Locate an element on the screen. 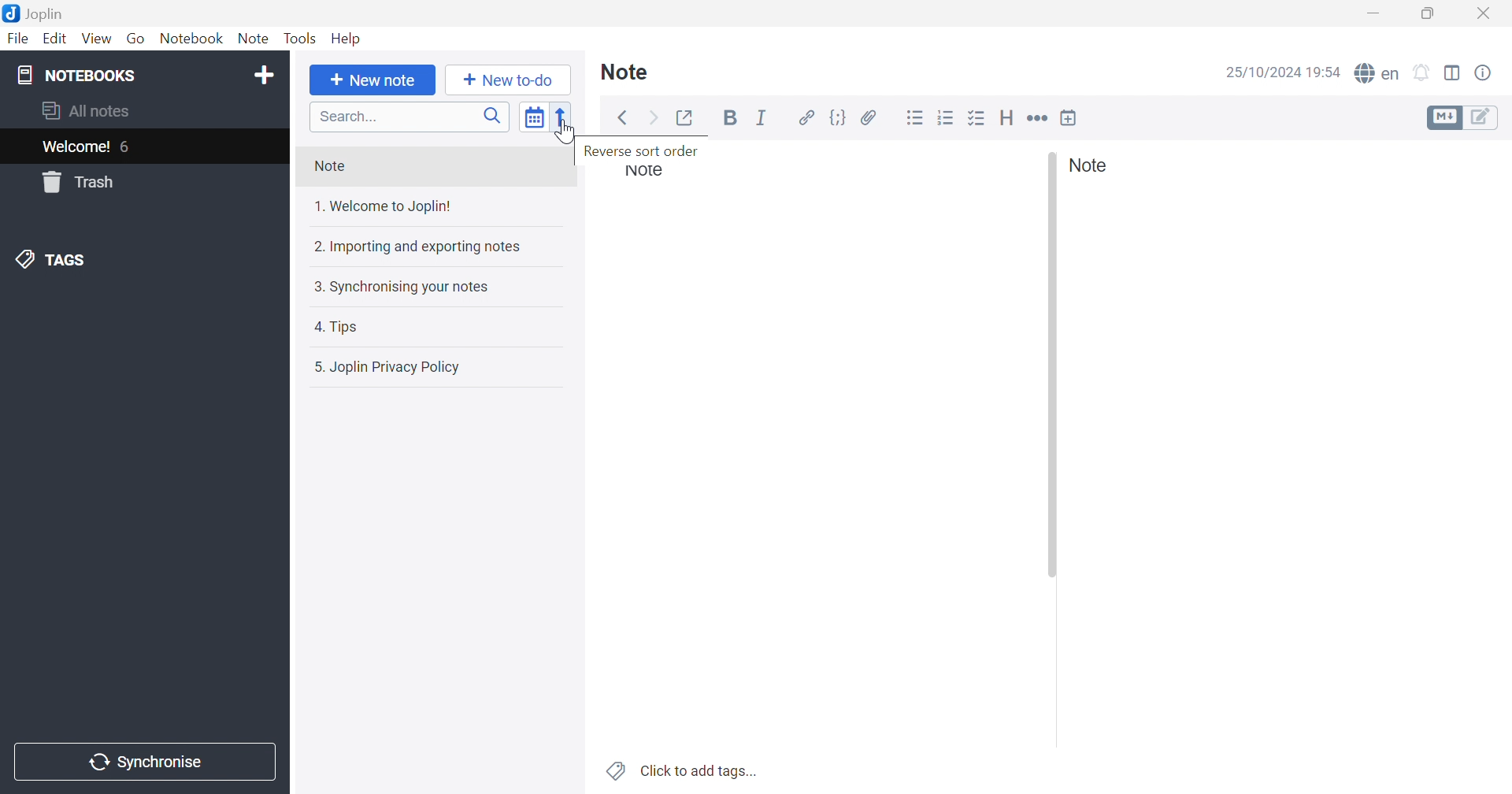 Image resolution: width=1512 pixels, height=794 pixels. Trash is located at coordinates (80, 182).